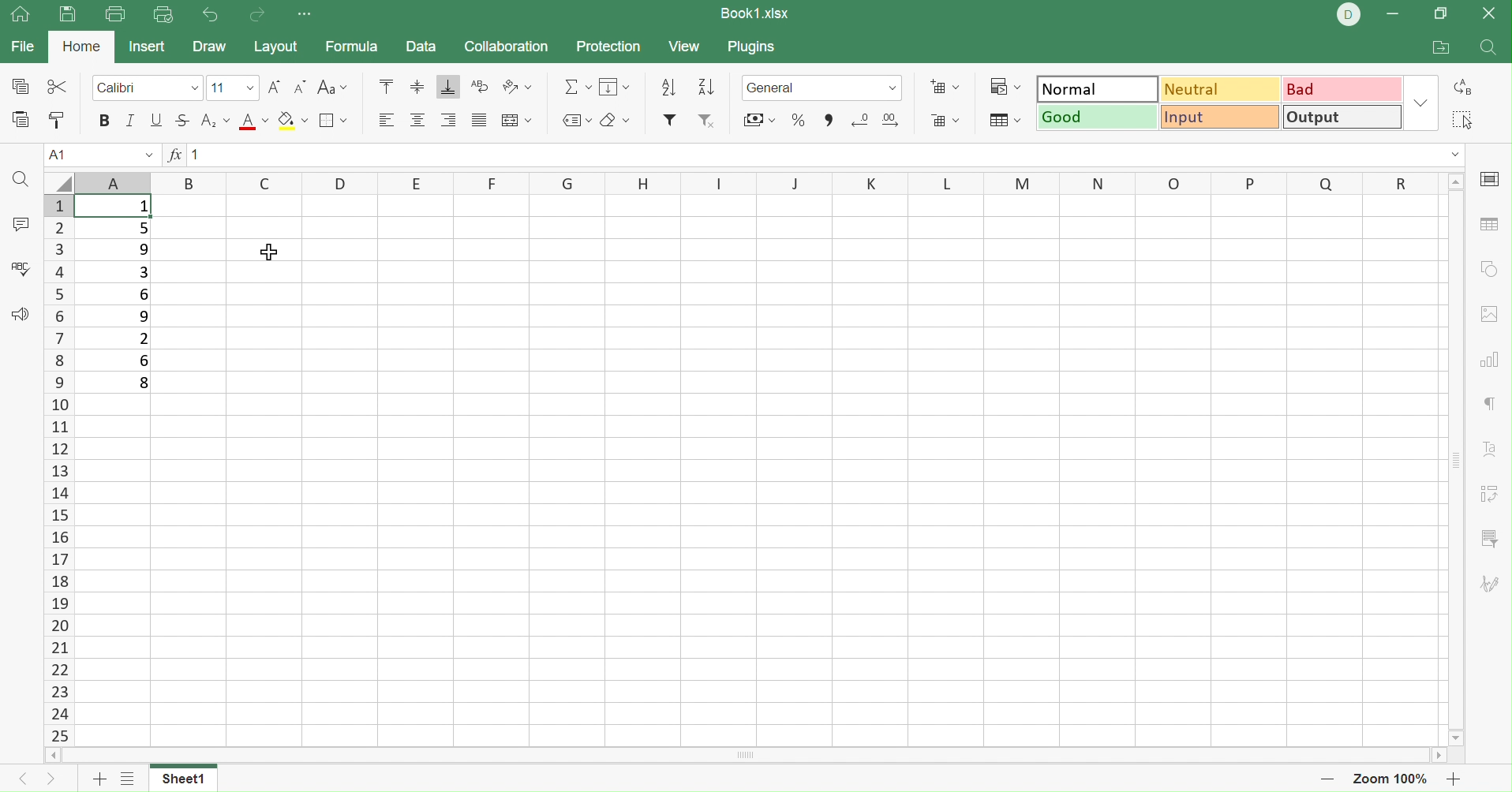 The height and width of the screenshot is (792, 1512). Describe the element at coordinates (1005, 85) in the screenshot. I see `Conditional formatting` at that location.